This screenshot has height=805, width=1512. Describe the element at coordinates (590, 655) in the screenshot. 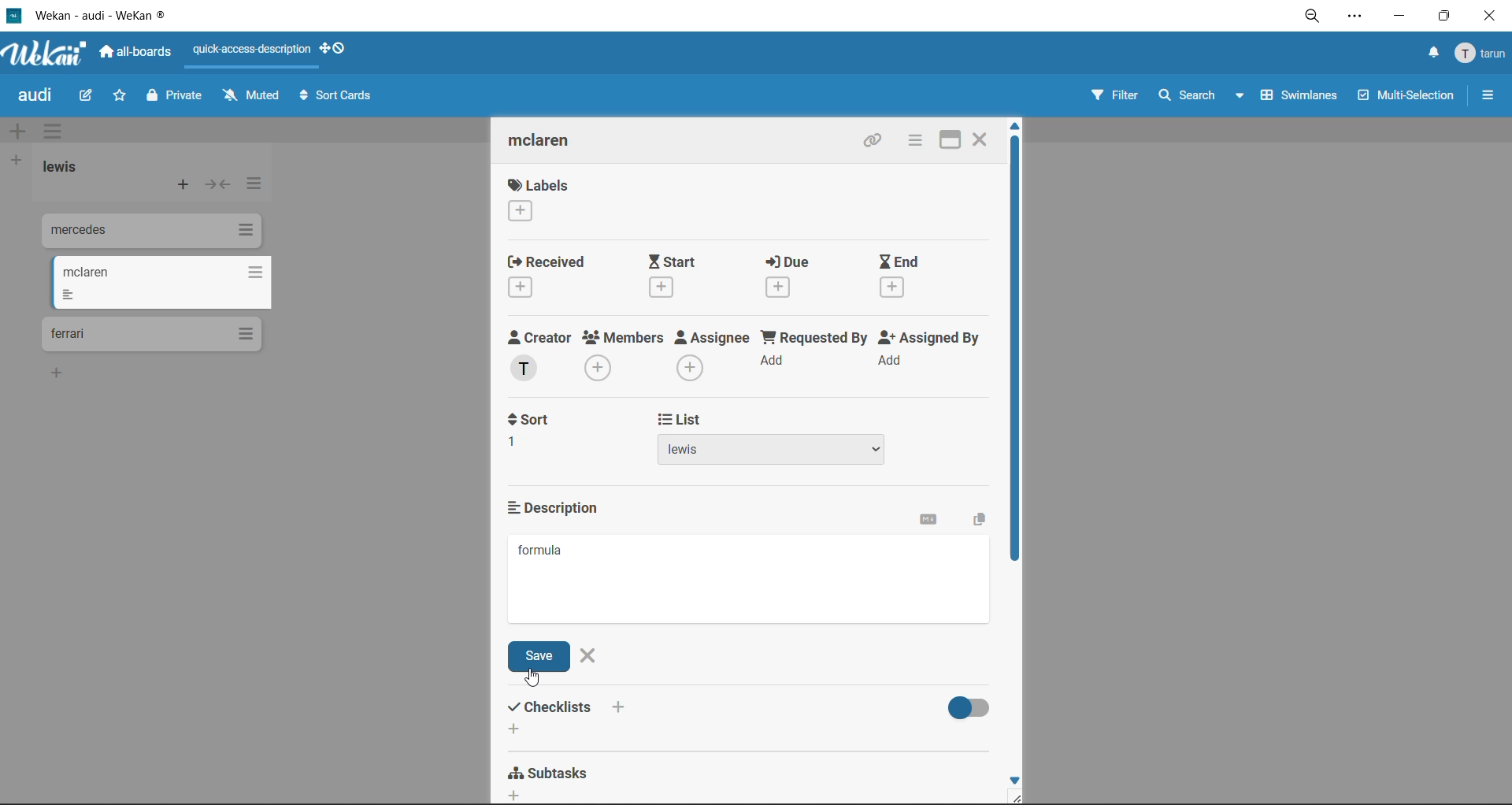

I see `close` at that location.